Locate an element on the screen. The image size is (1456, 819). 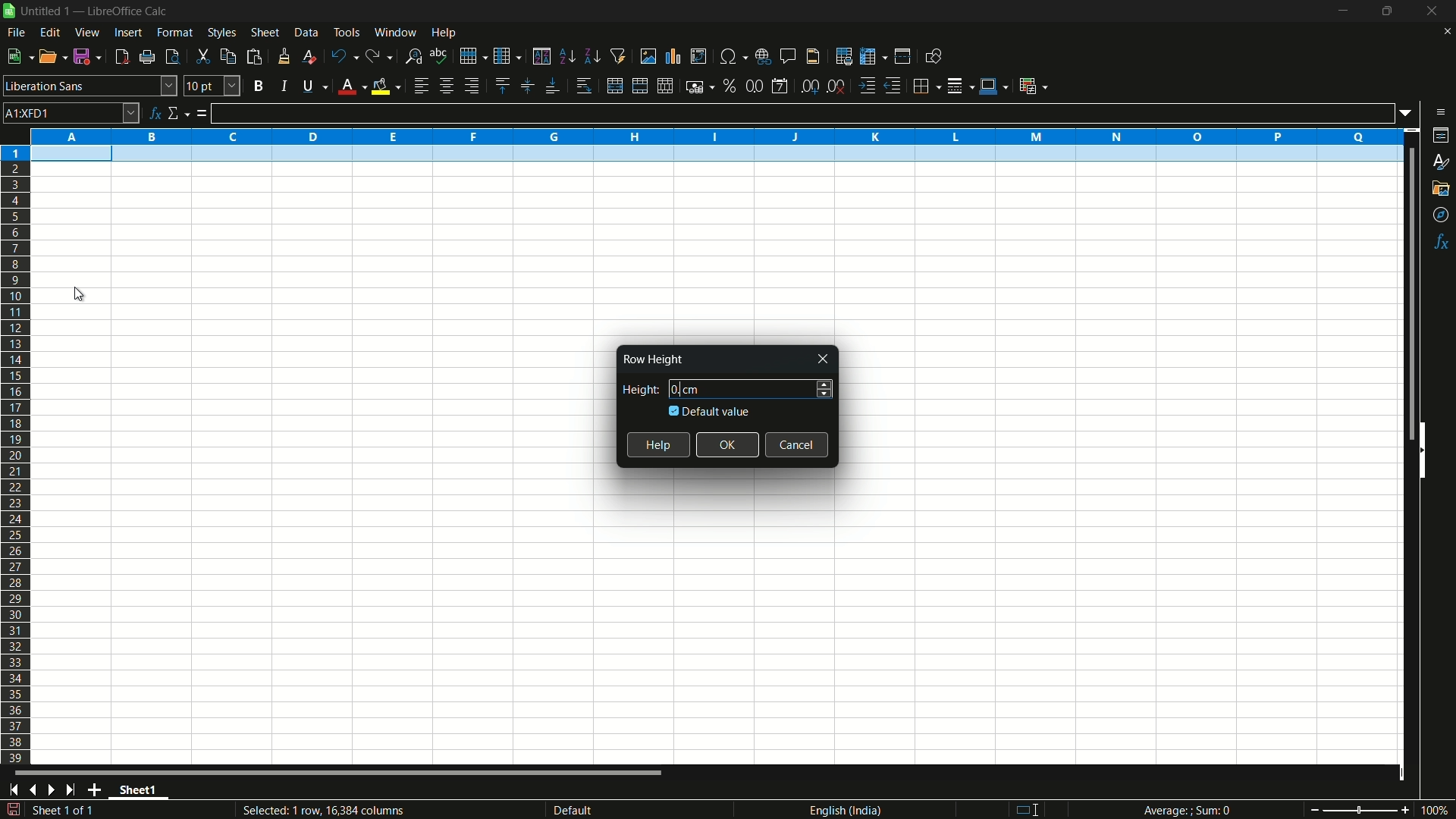
formula input options is located at coordinates (1410, 112).